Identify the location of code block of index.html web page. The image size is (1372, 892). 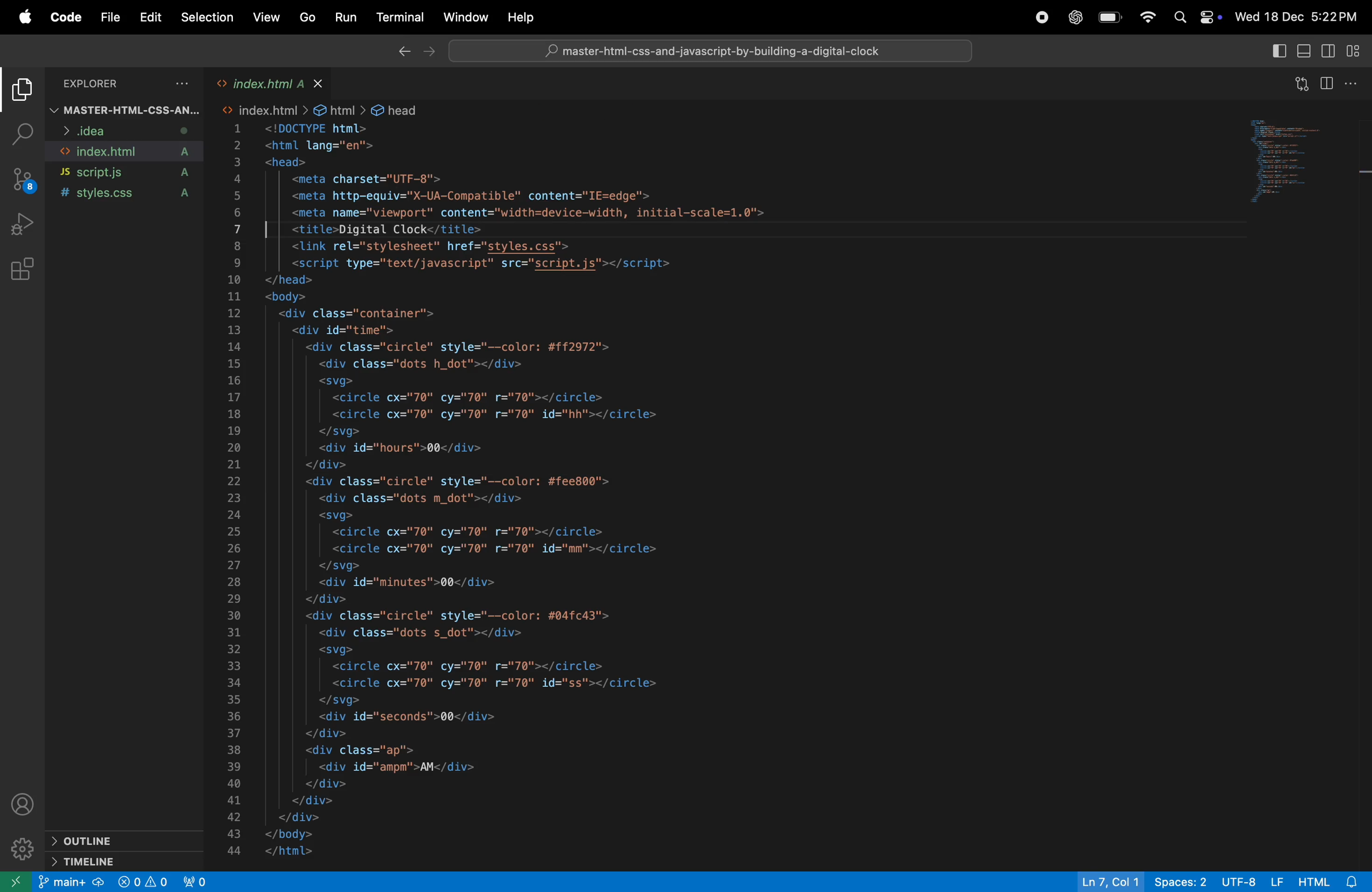
(601, 492).